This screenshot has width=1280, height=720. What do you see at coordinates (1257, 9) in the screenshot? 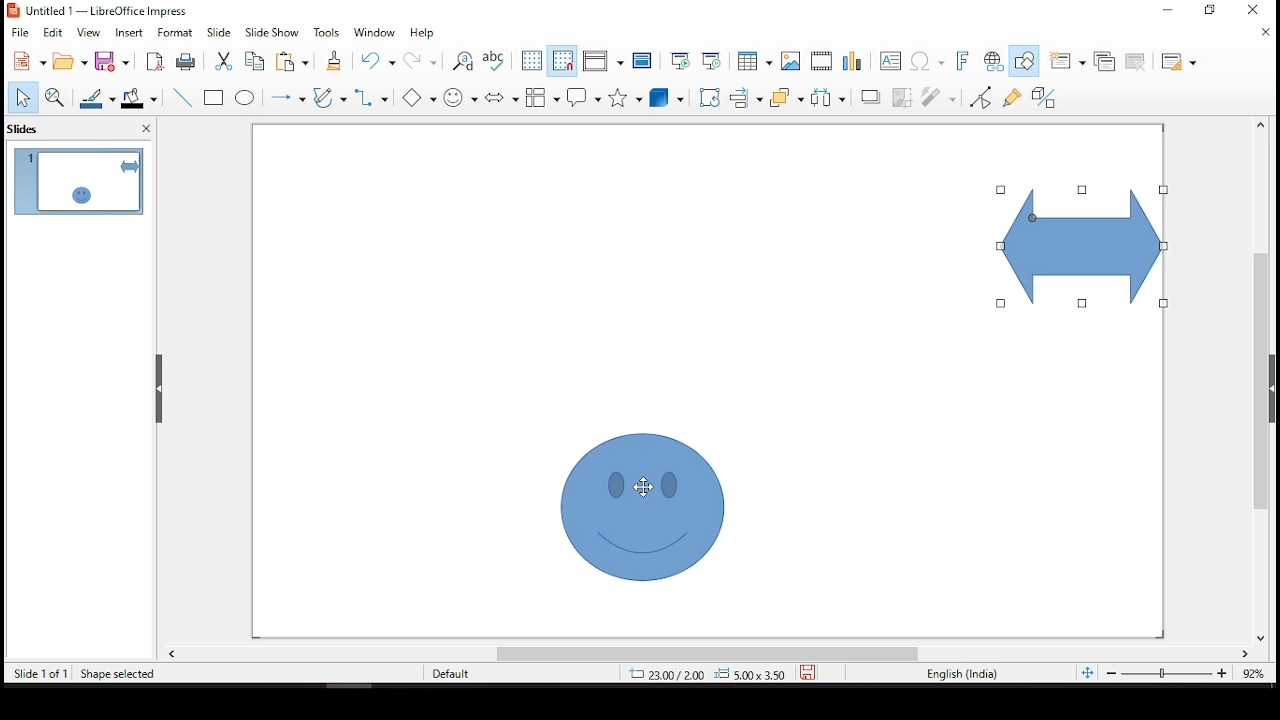
I see `close window` at bounding box center [1257, 9].